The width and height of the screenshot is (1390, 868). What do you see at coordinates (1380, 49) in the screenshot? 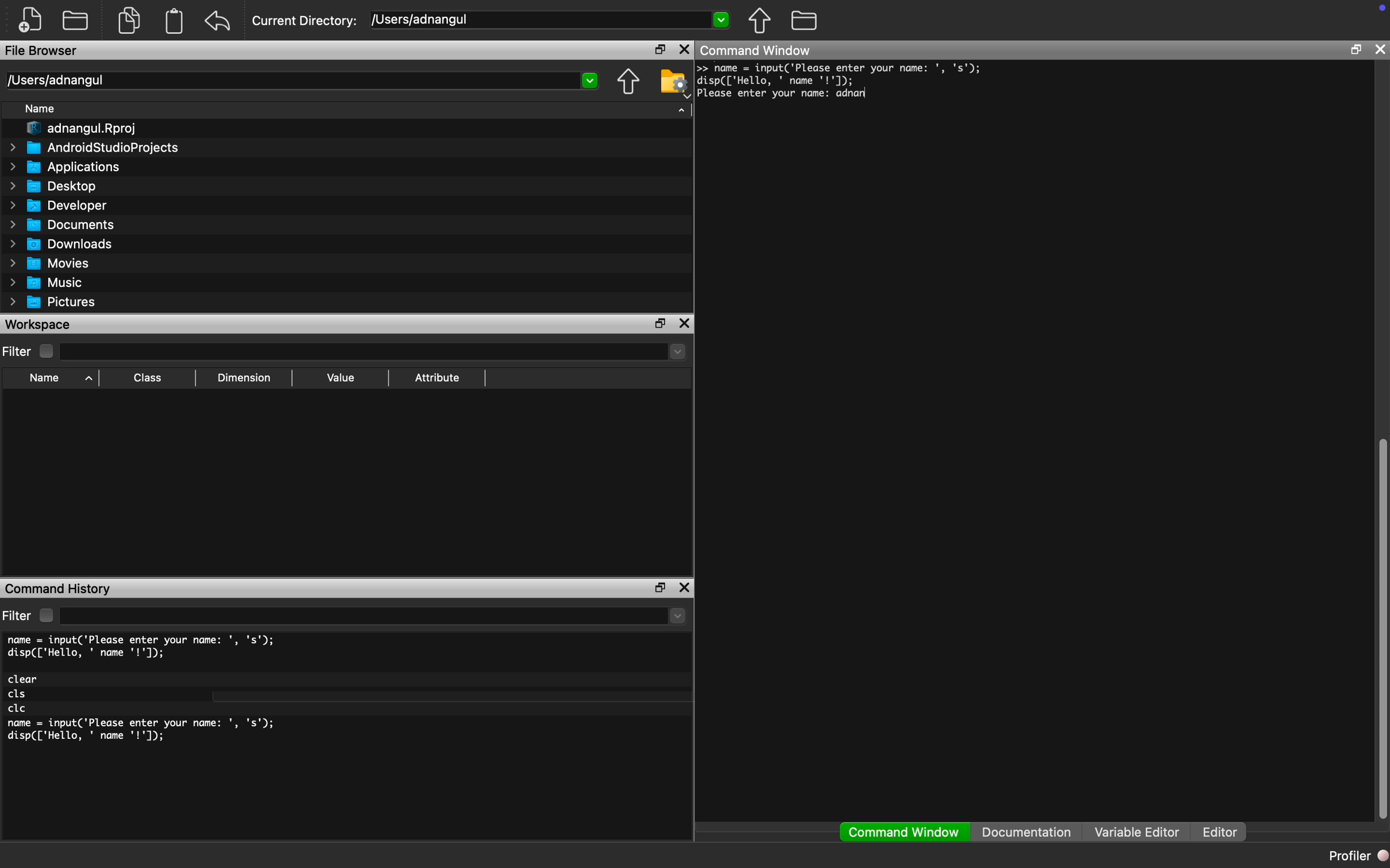
I see `close` at bounding box center [1380, 49].